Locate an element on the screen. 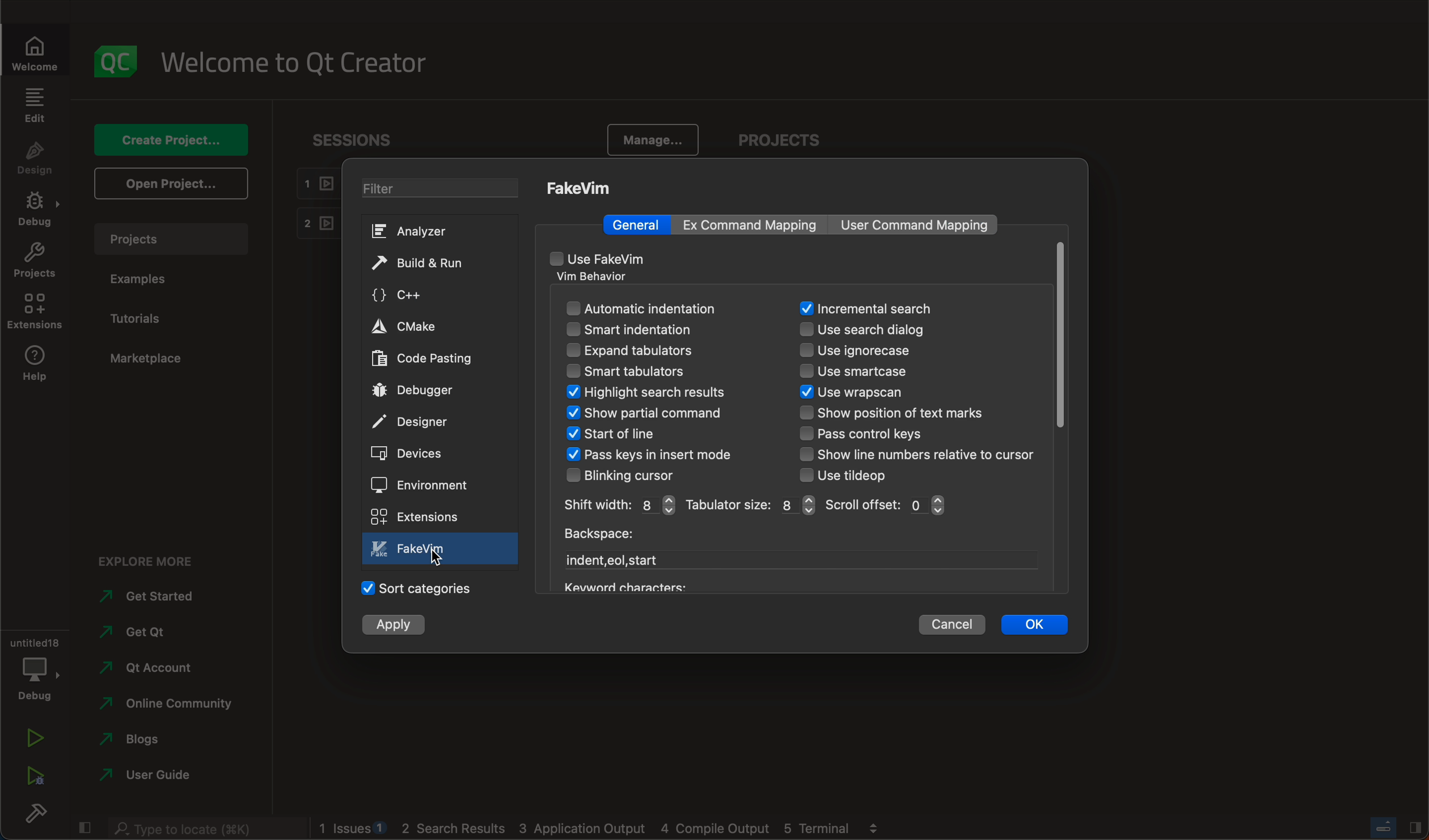 This screenshot has height=840, width=1429. line number is located at coordinates (919, 454).